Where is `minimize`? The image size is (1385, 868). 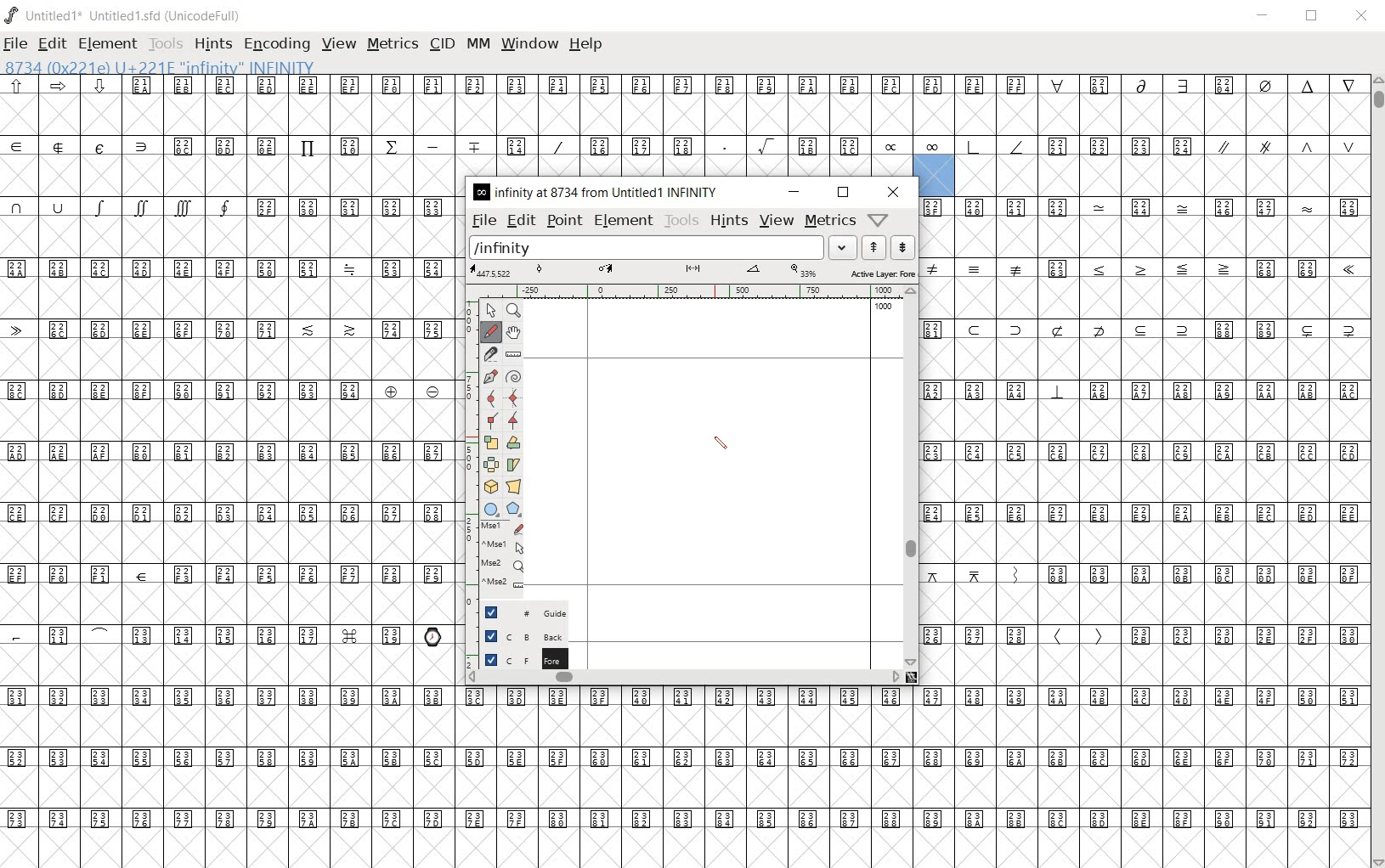
minimize is located at coordinates (1263, 16).